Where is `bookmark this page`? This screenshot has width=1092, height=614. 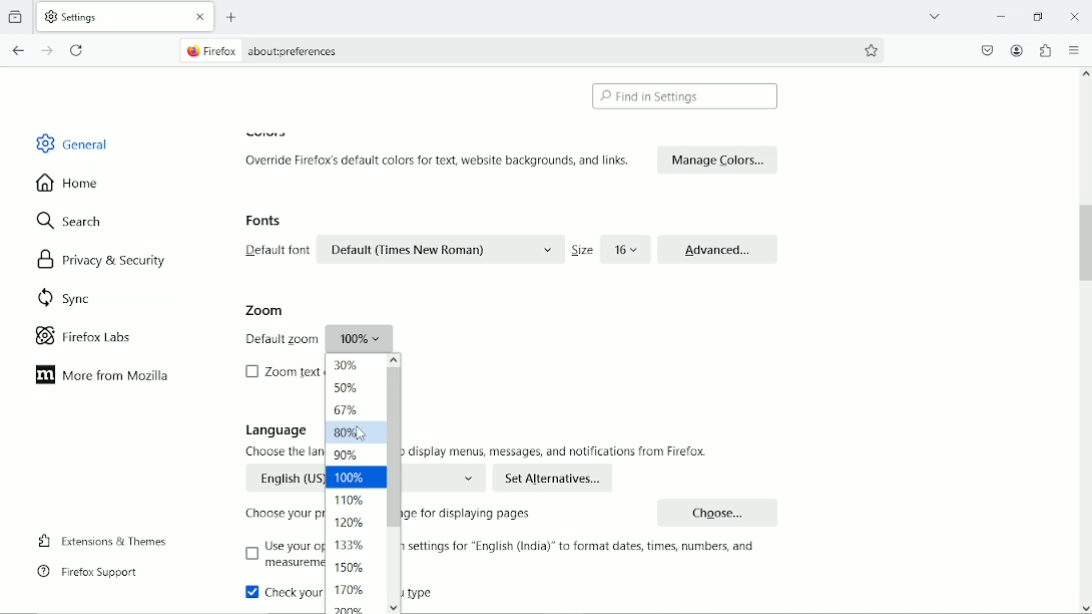 bookmark this page is located at coordinates (871, 51).